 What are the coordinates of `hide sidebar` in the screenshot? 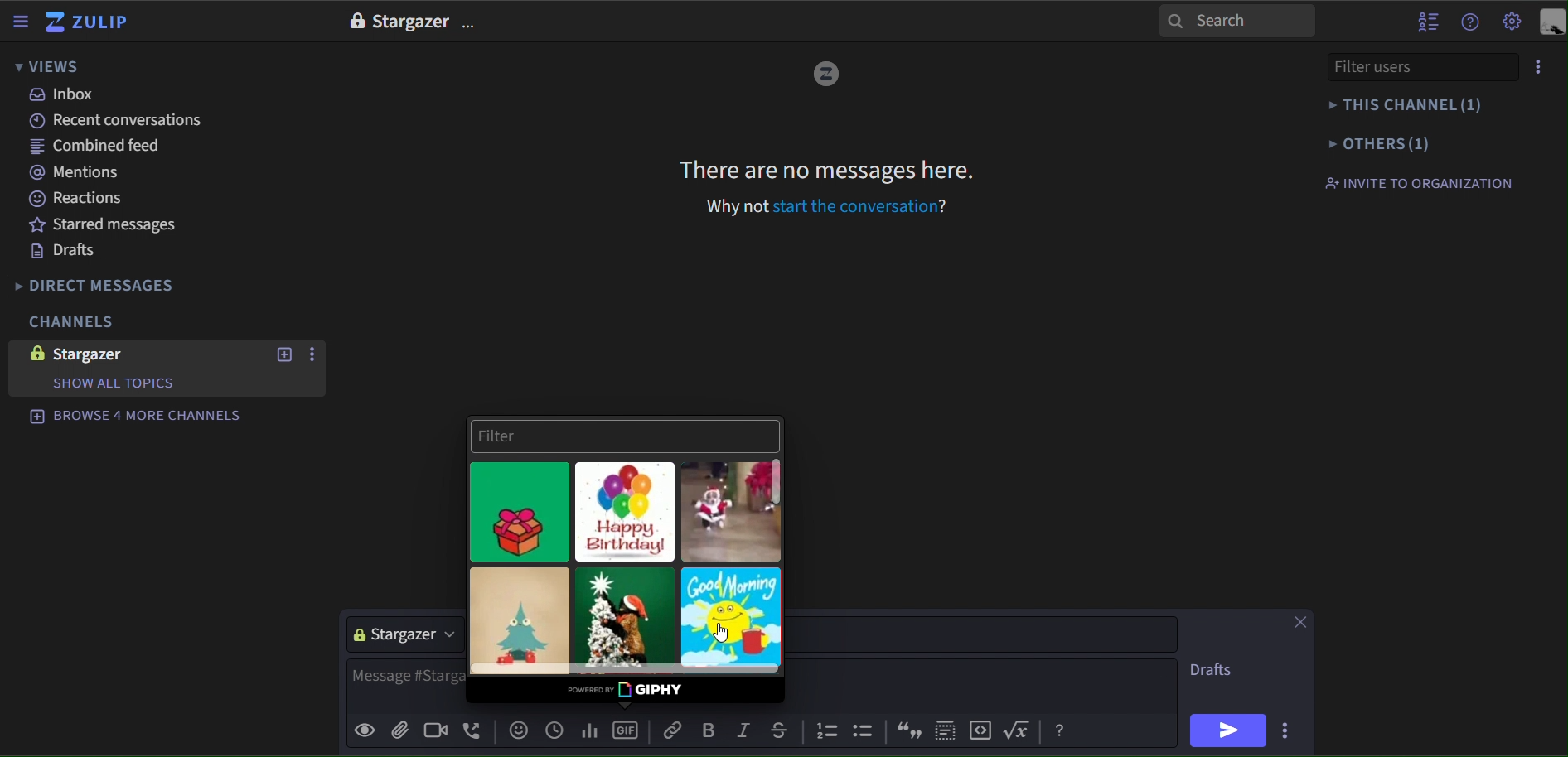 It's located at (22, 23).